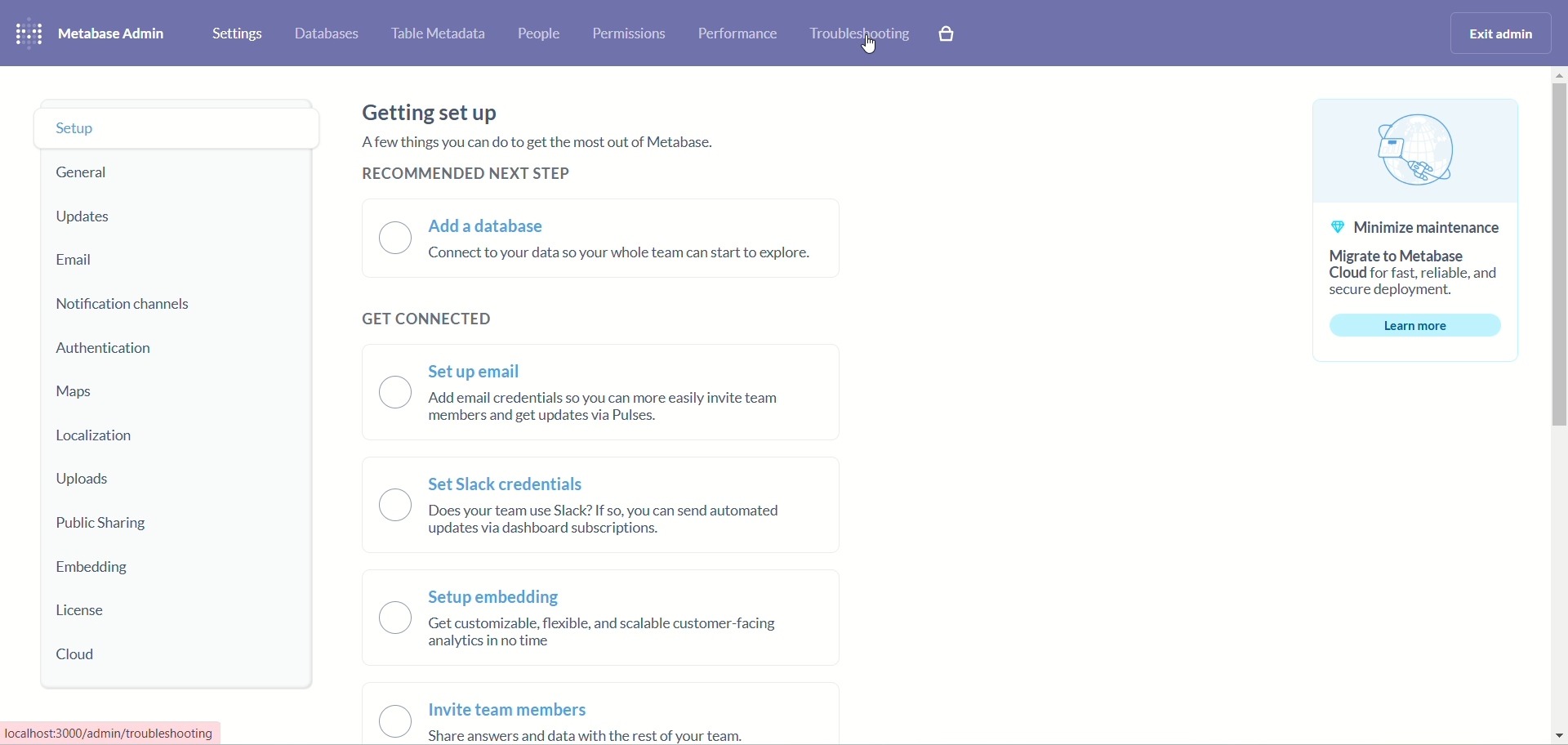 Image resolution: width=1568 pixels, height=745 pixels. What do you see at coordinates (600, 624) in the screenshot?
I see `setup embedding` at bounding box center [600, 624].